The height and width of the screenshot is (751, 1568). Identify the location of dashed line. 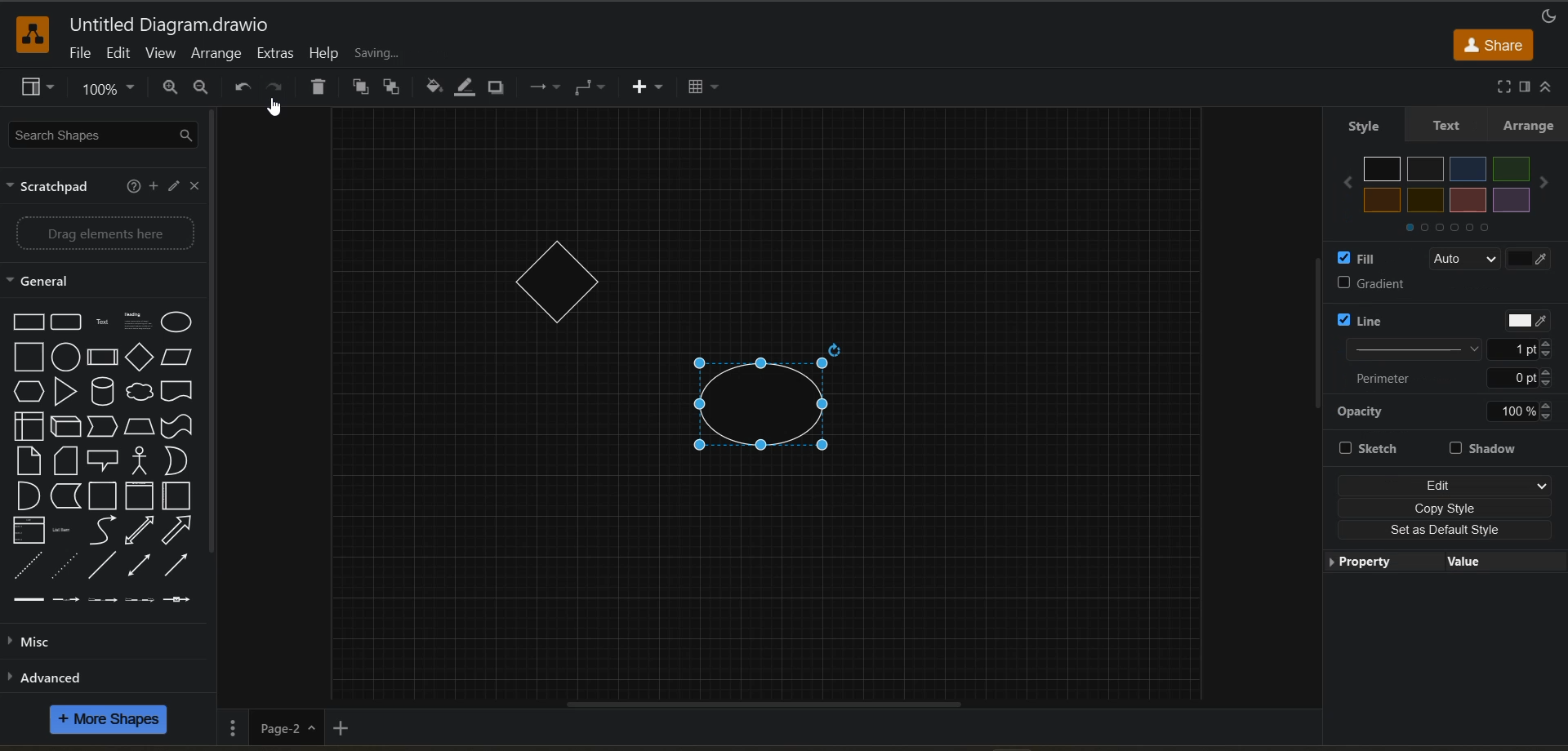
(27, 567).